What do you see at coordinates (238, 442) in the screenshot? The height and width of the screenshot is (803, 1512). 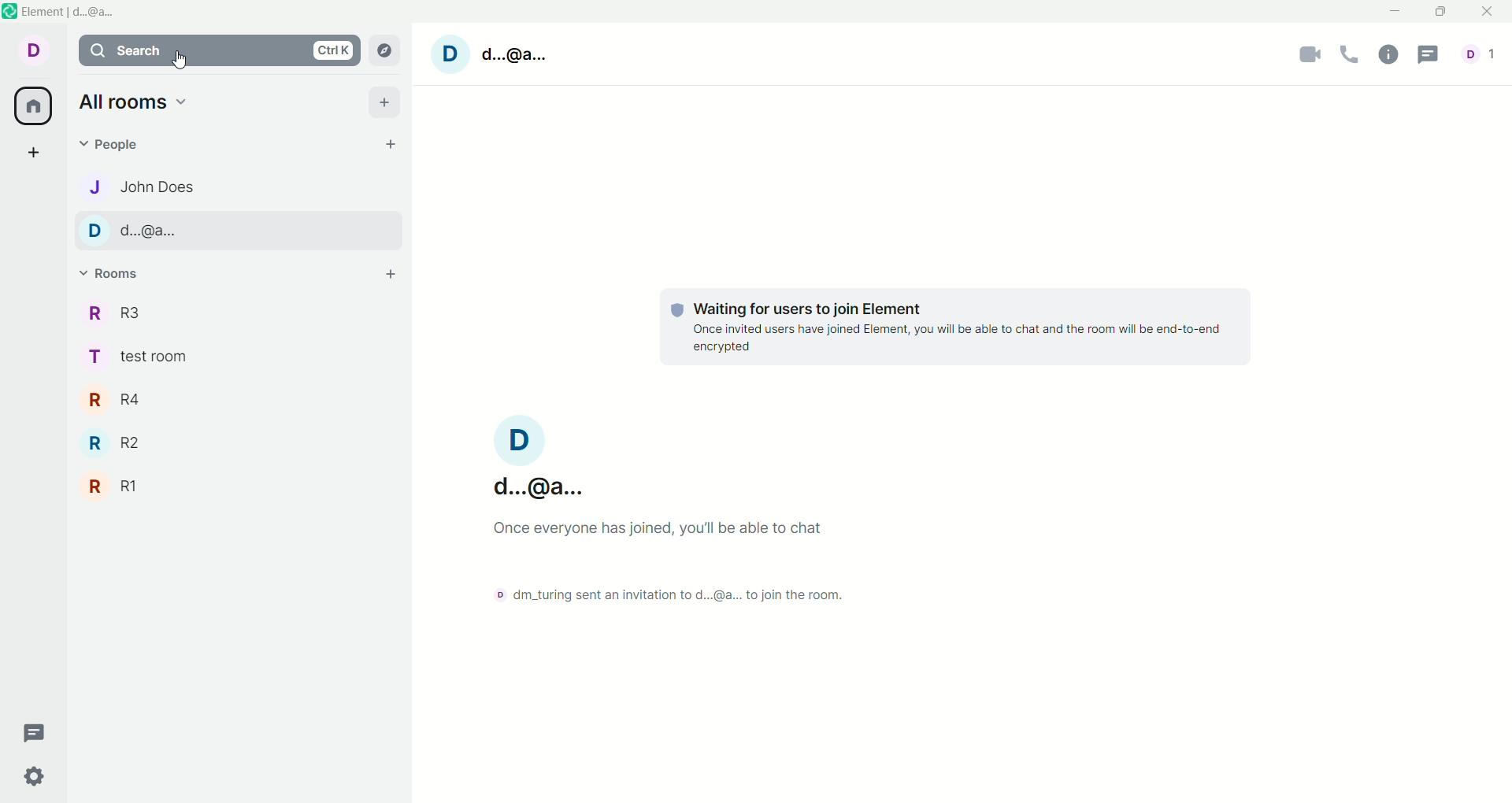 I see `R2 ` at bounding box center [238, 442].